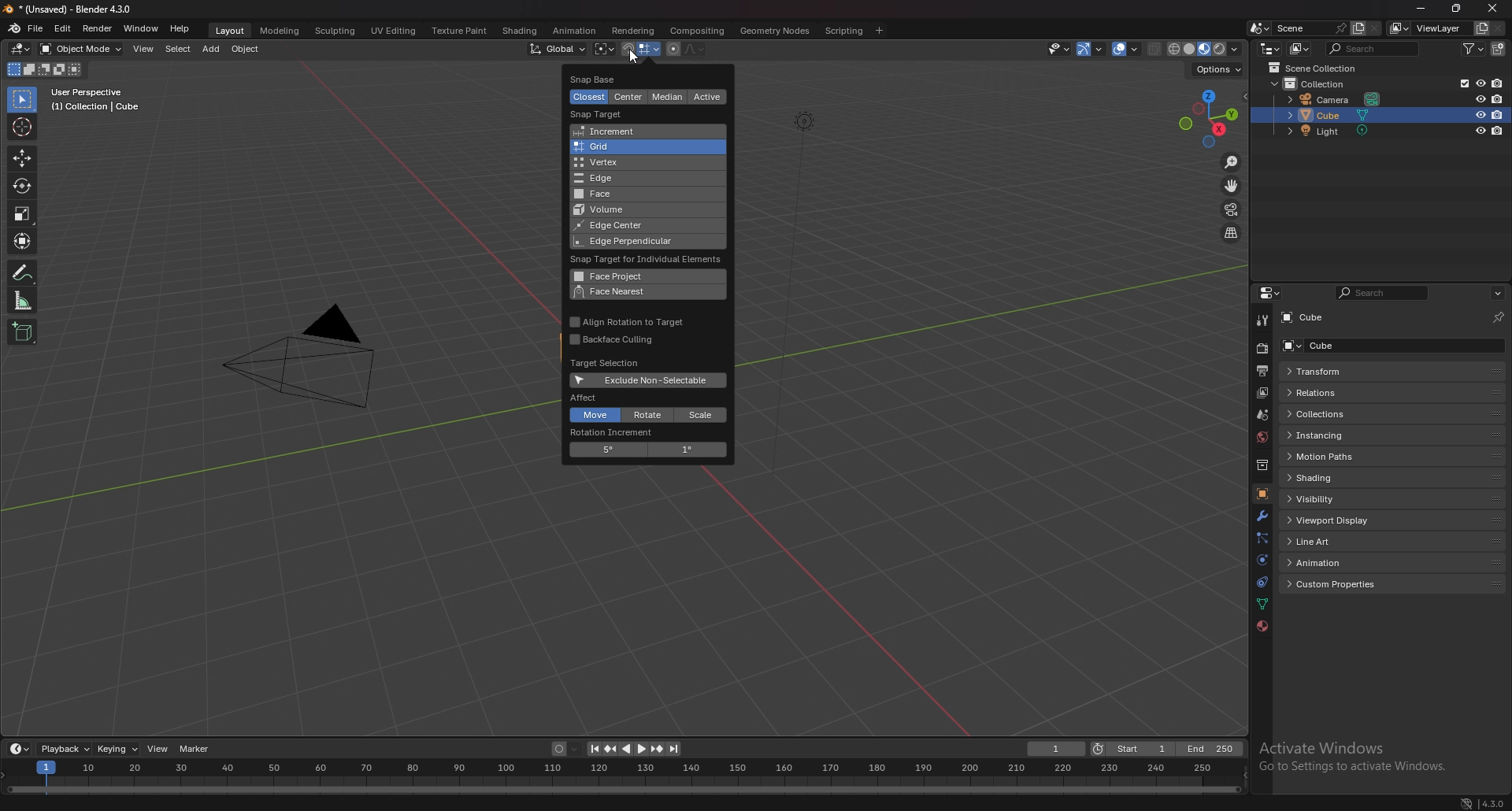 Image resolution: width=1512 pixels, height=811 pixels. What do you see at coordinates (23, 272) in the screenshot?
I see `annotate` at bounding box center [23, 272].